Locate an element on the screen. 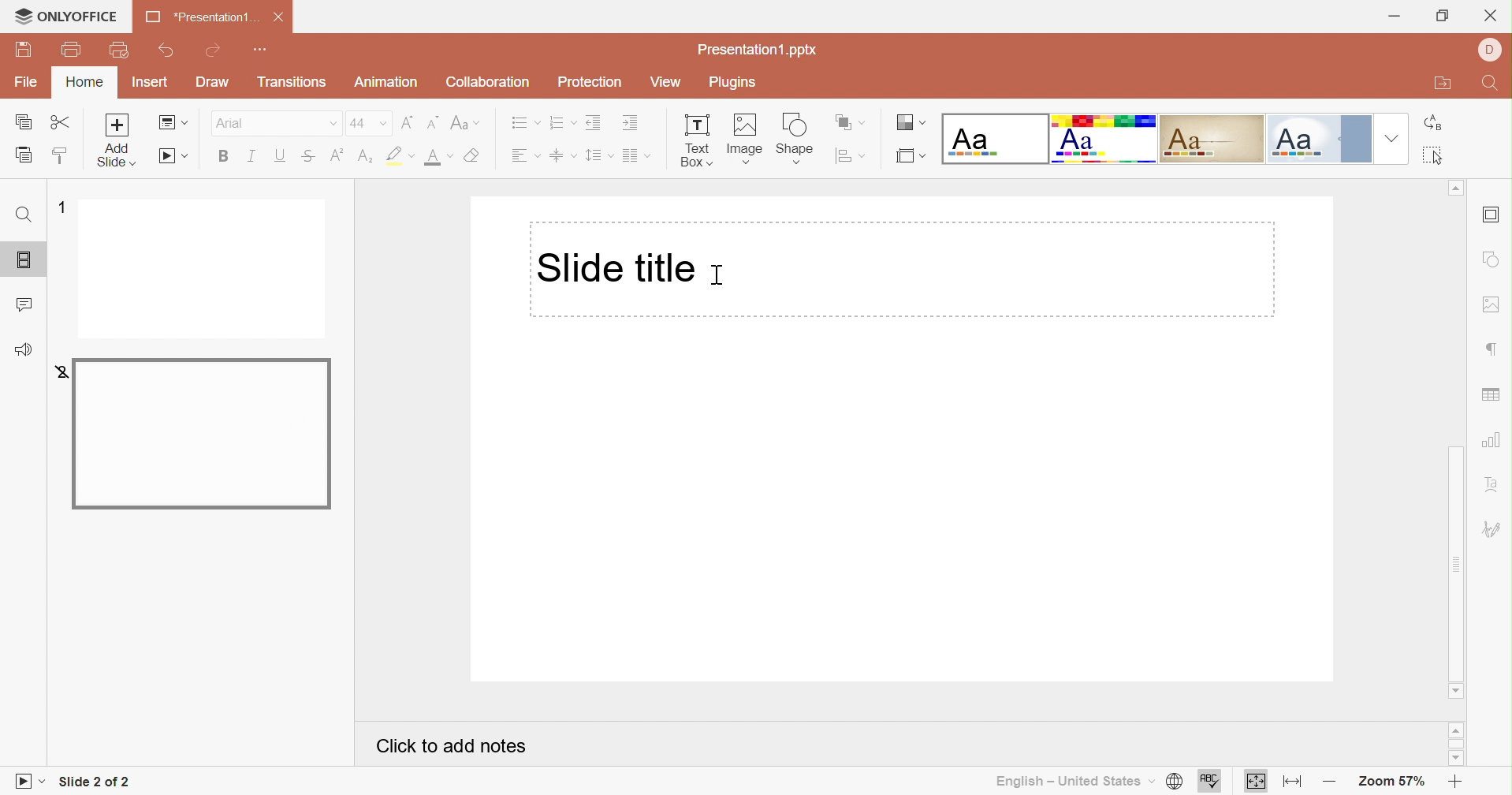 The image size is (1512, 795). Chart settings is located at coordinates (1493, 444).